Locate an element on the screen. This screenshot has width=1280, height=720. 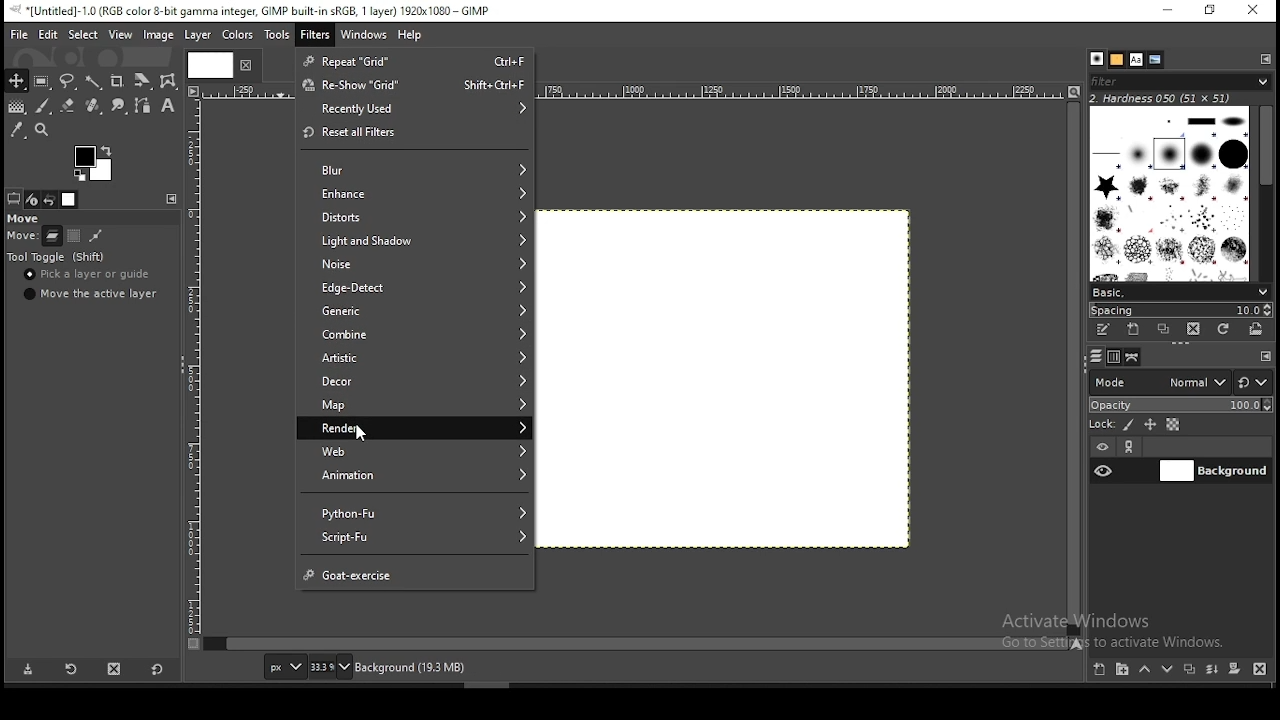
spacing is located at coordinates (1183, 312).